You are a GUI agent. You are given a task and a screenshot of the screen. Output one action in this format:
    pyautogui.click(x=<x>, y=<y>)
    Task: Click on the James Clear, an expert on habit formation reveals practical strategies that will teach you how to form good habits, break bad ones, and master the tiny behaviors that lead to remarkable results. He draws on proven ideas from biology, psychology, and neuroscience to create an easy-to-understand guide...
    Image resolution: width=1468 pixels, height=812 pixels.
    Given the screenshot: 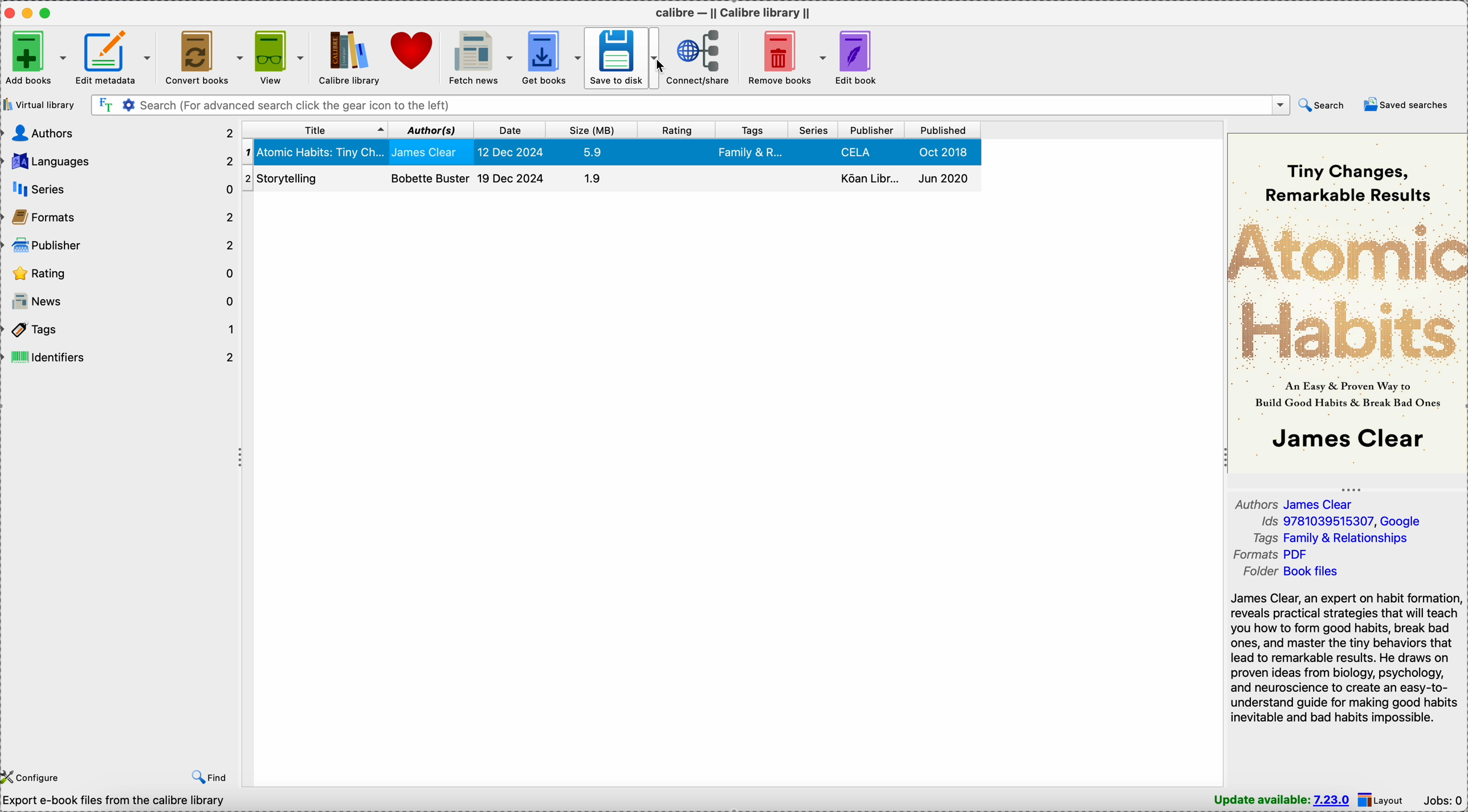 What is the action you would take?
    pyautogui.click(x=1346, y=659)
    